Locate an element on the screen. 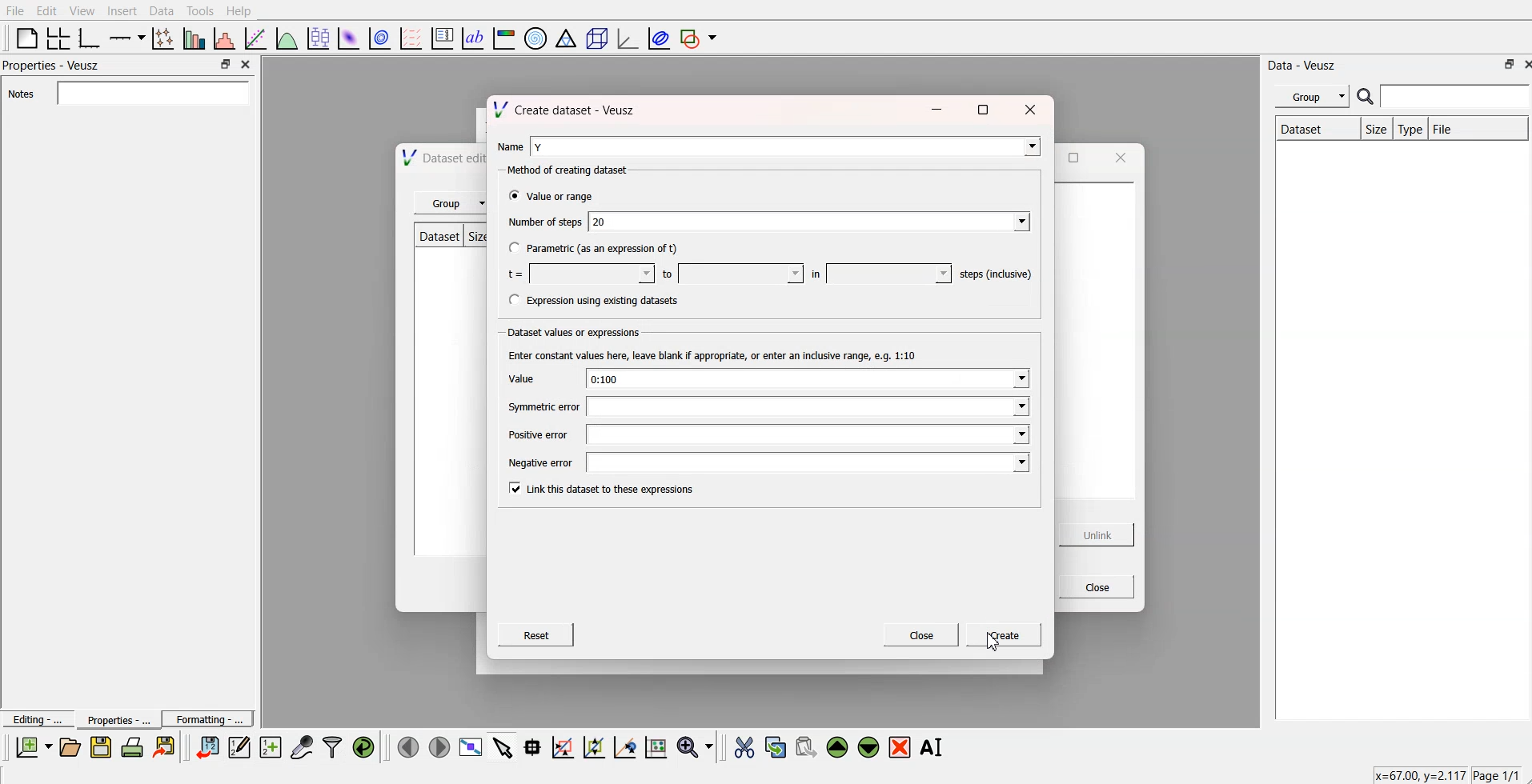 The height and width of the screenshot is (784, 1532). 3D graph is located at coordinates (626, 38).